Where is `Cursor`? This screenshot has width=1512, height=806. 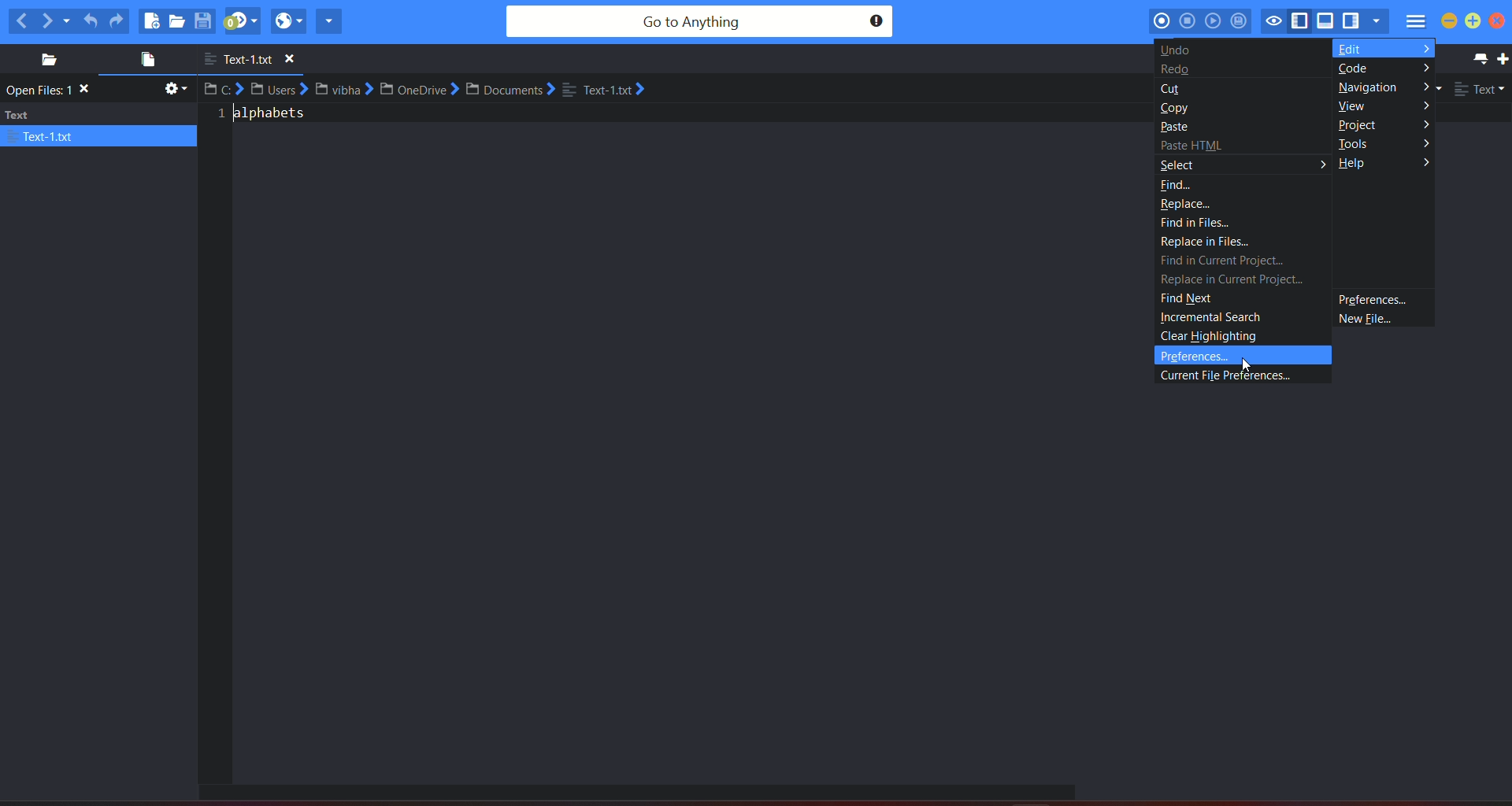 Cursor is located at coordinates (1241, 366).